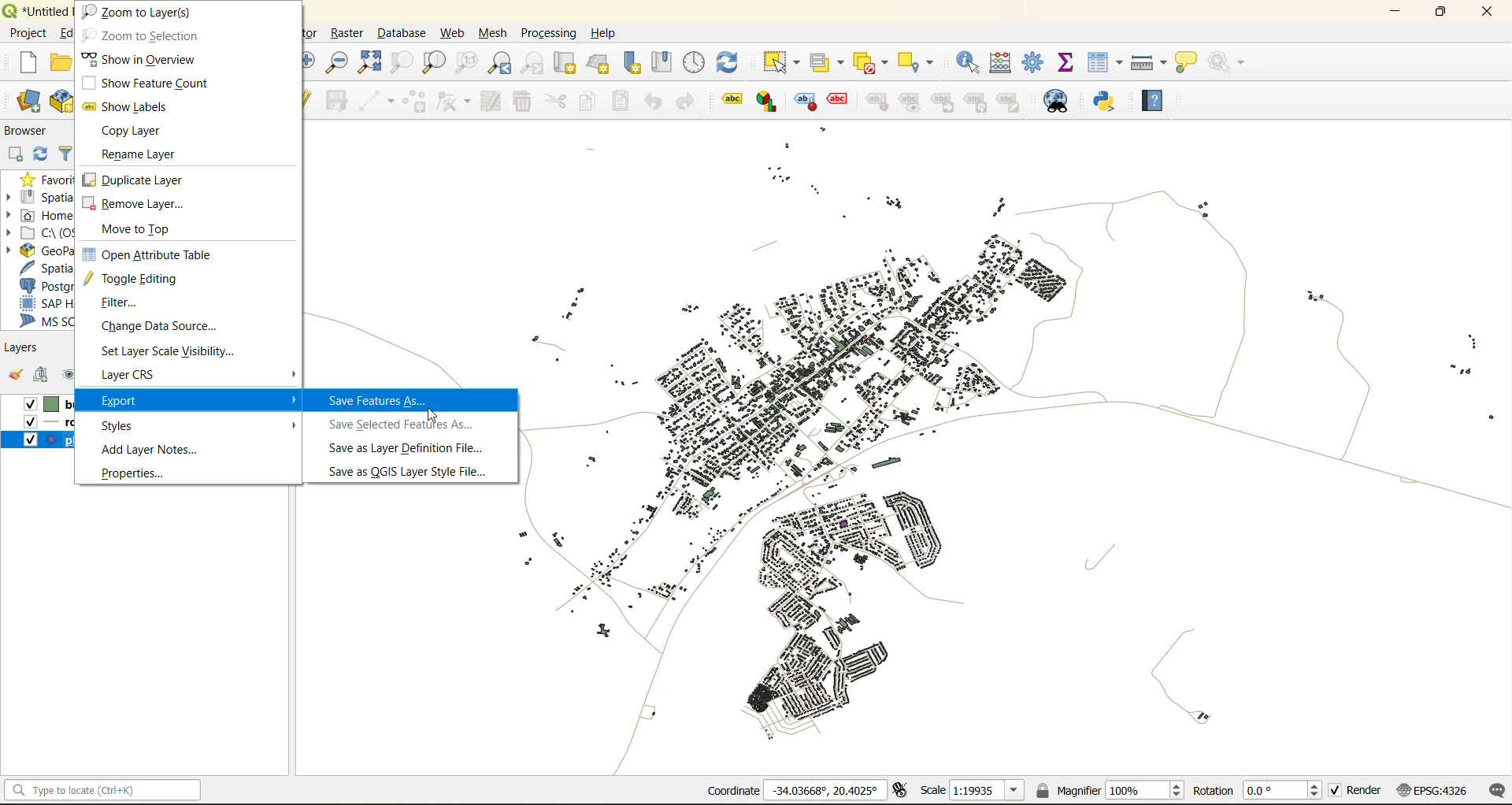  What do you see at coordinates (146, 230) in the screenshot?
I see `move to top` at bounding box center [146, 230].